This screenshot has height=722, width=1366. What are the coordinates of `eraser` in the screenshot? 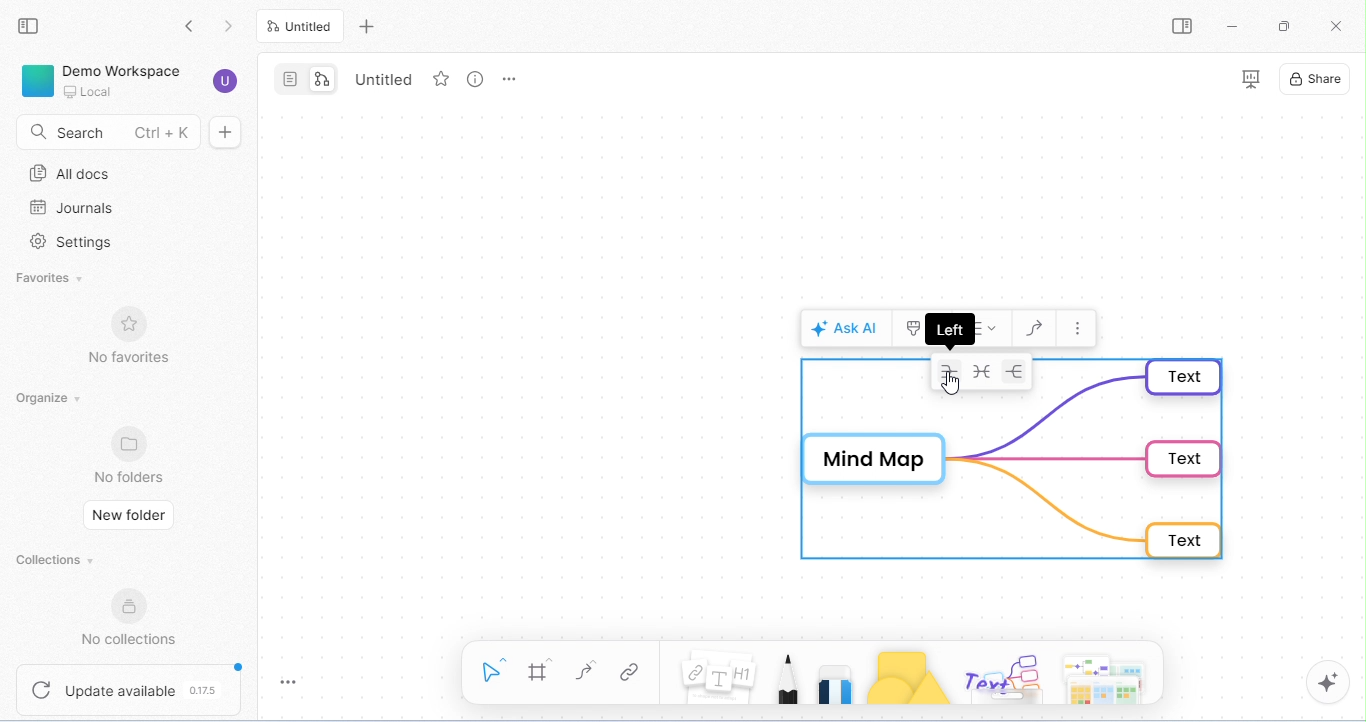 It's located at (836, 679).